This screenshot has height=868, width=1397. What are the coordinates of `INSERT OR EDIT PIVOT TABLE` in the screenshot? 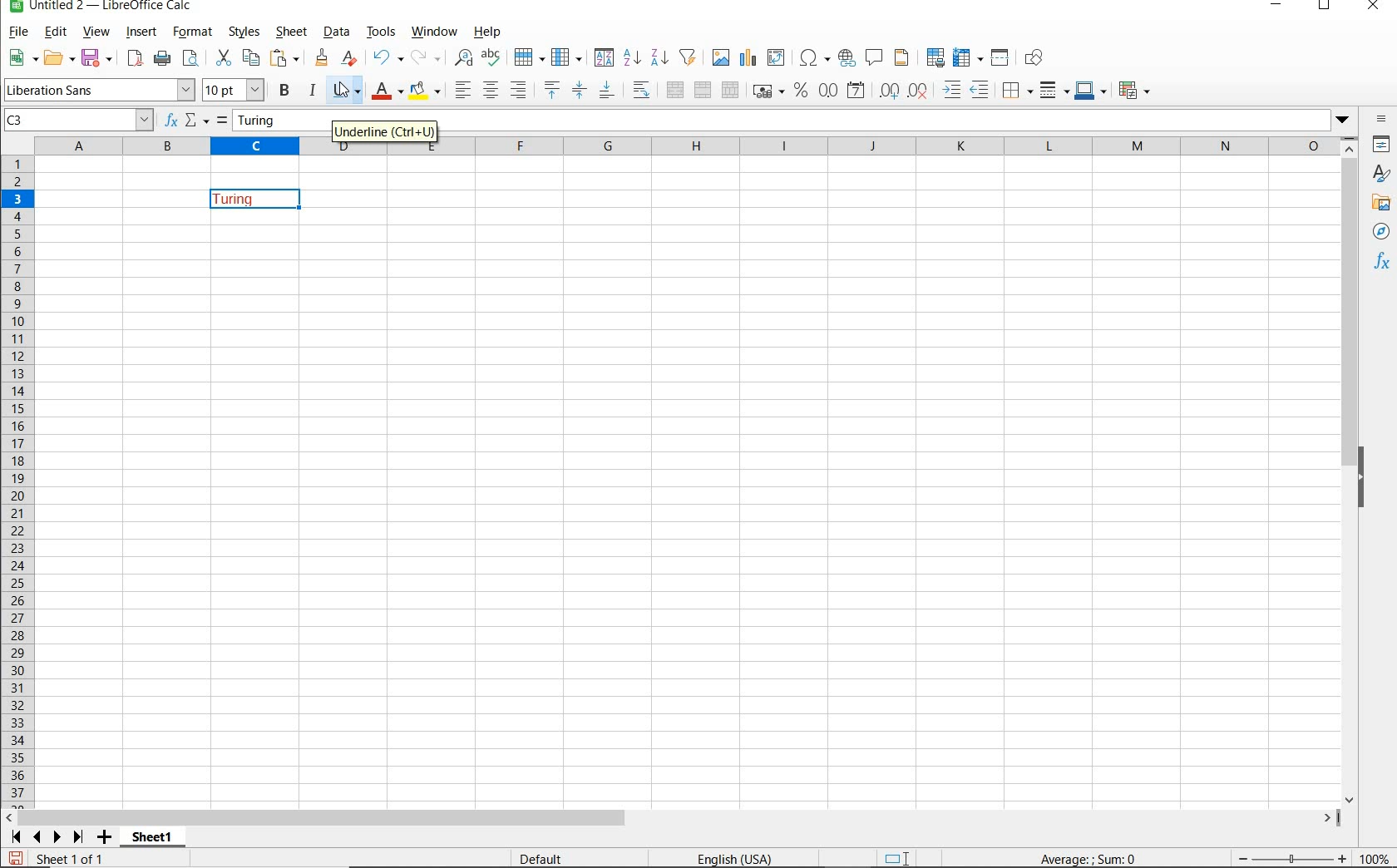 It's located at (776, 57).